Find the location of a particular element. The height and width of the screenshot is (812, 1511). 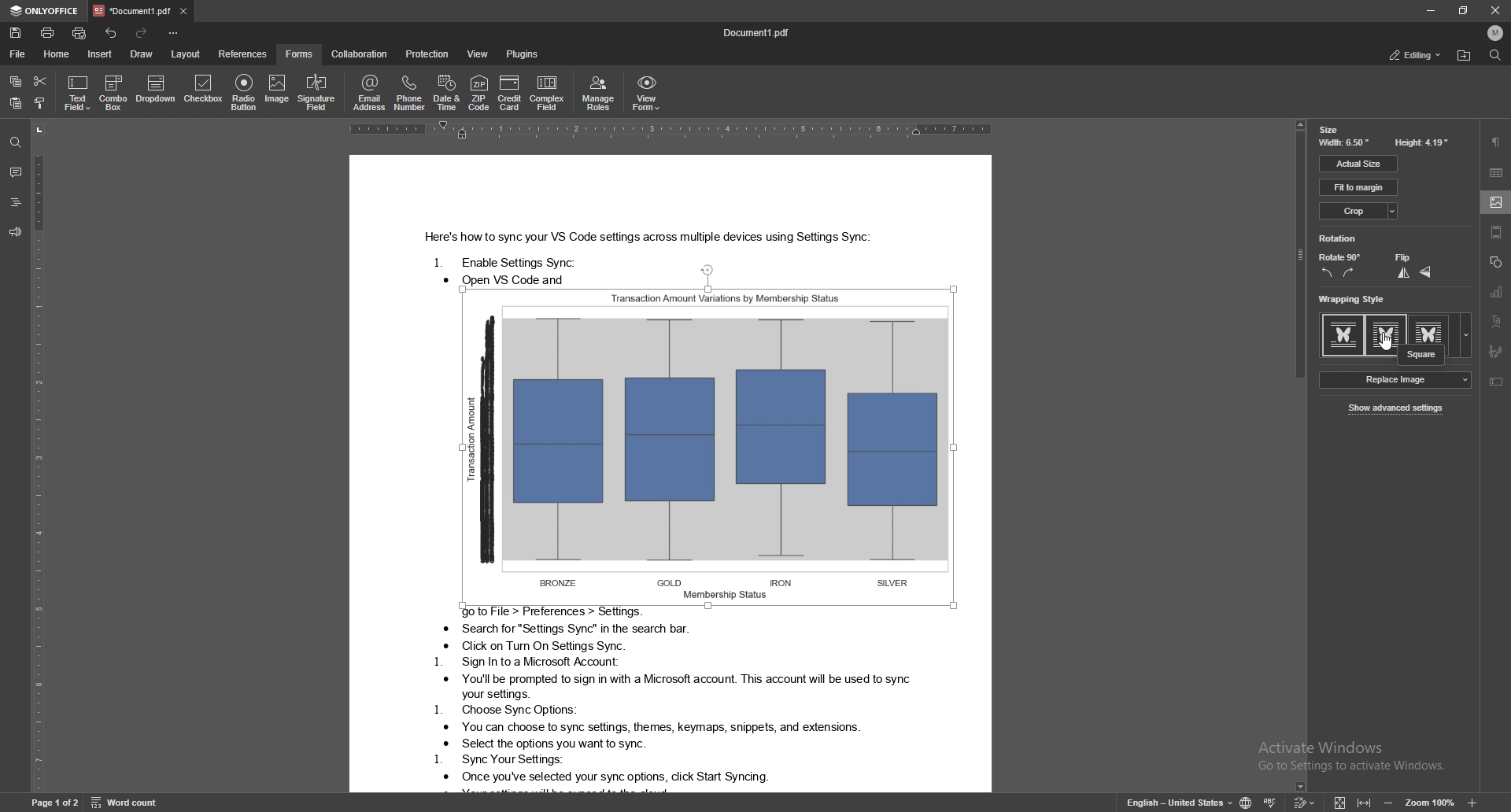

change doc language is located at coordinates (1247, 802).